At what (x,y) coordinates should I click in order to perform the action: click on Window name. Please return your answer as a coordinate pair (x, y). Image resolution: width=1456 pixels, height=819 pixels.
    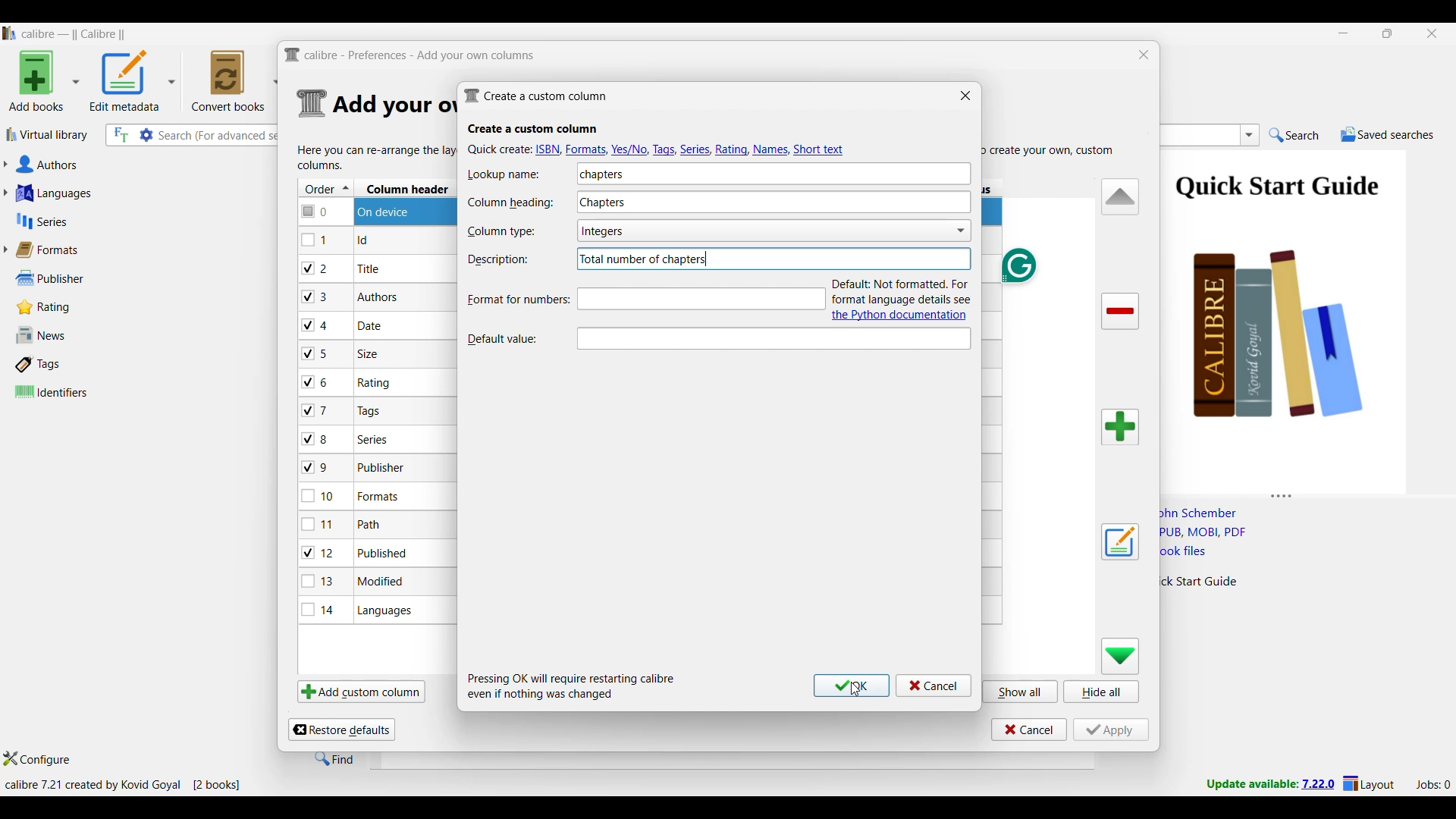
    Looking at the image, I should click on (535, 96).